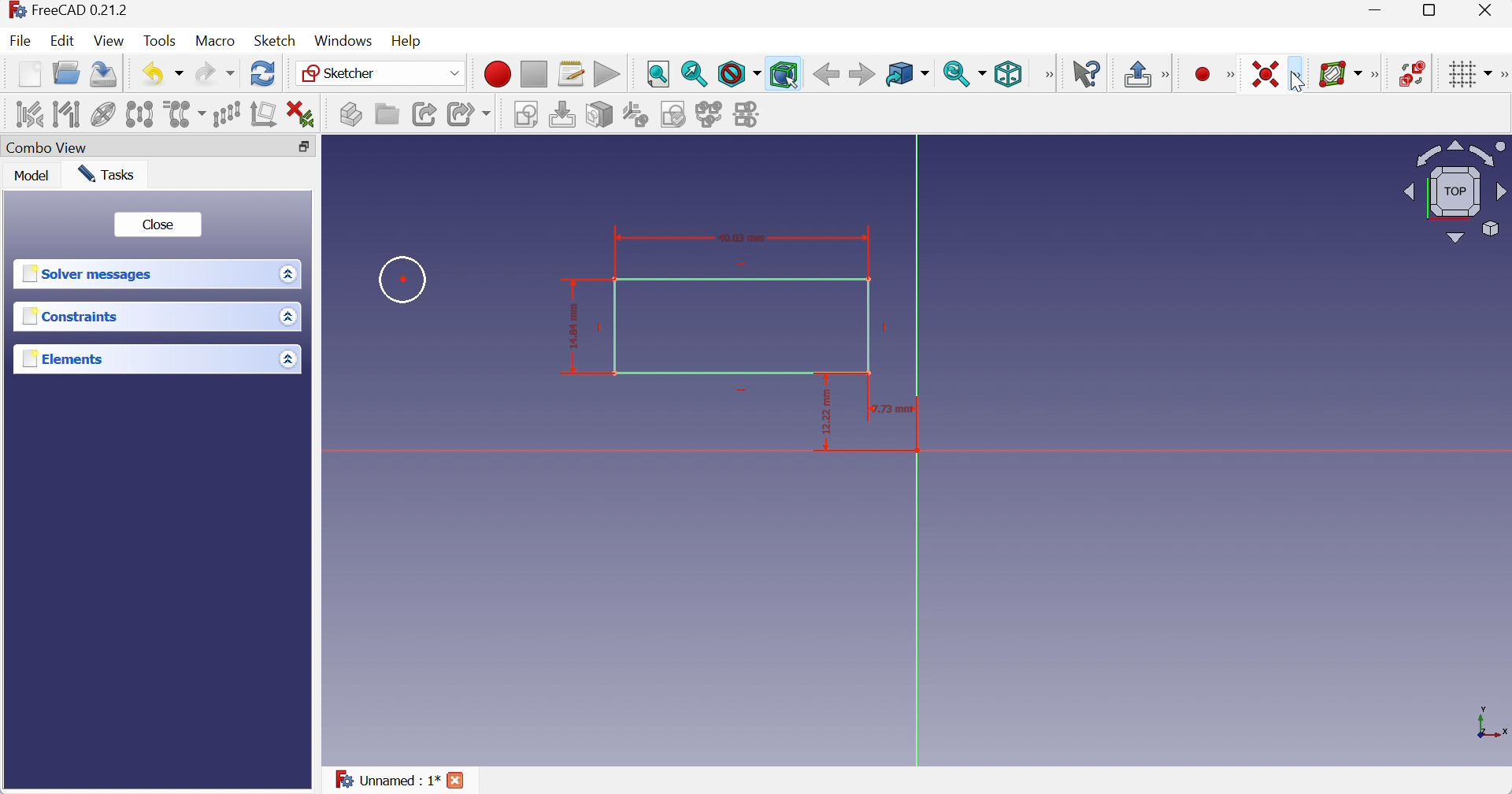 This screenshot has width=1512, height=794. What do you see at coordinates (302, 114) in the screenshot?
I see `Delete all constraints` at bounding box center [302, 114].